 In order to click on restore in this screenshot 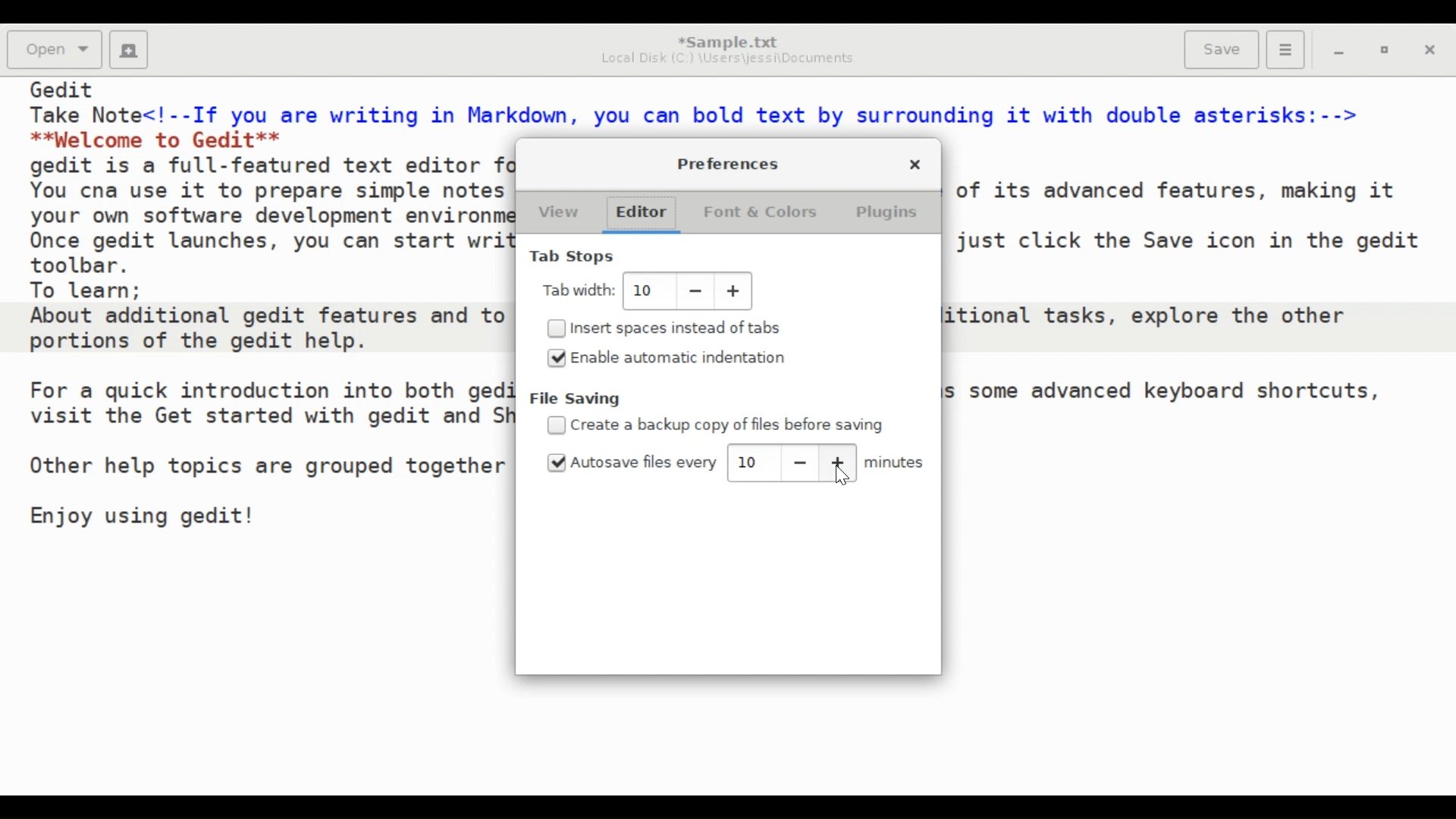, I will do `click(1387, 52)`.